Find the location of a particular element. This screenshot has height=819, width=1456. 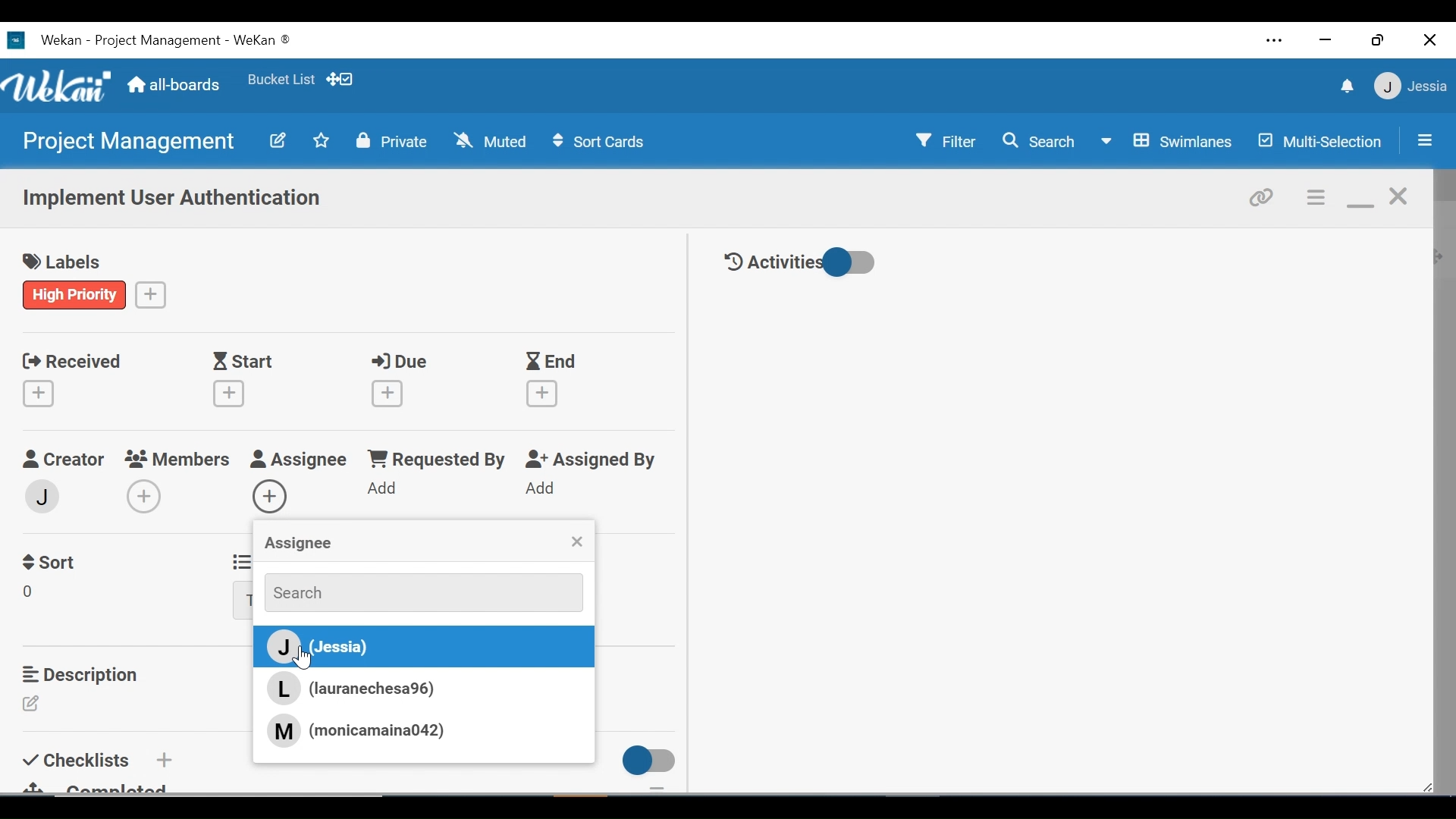

List is located at coordinates (239, 560).